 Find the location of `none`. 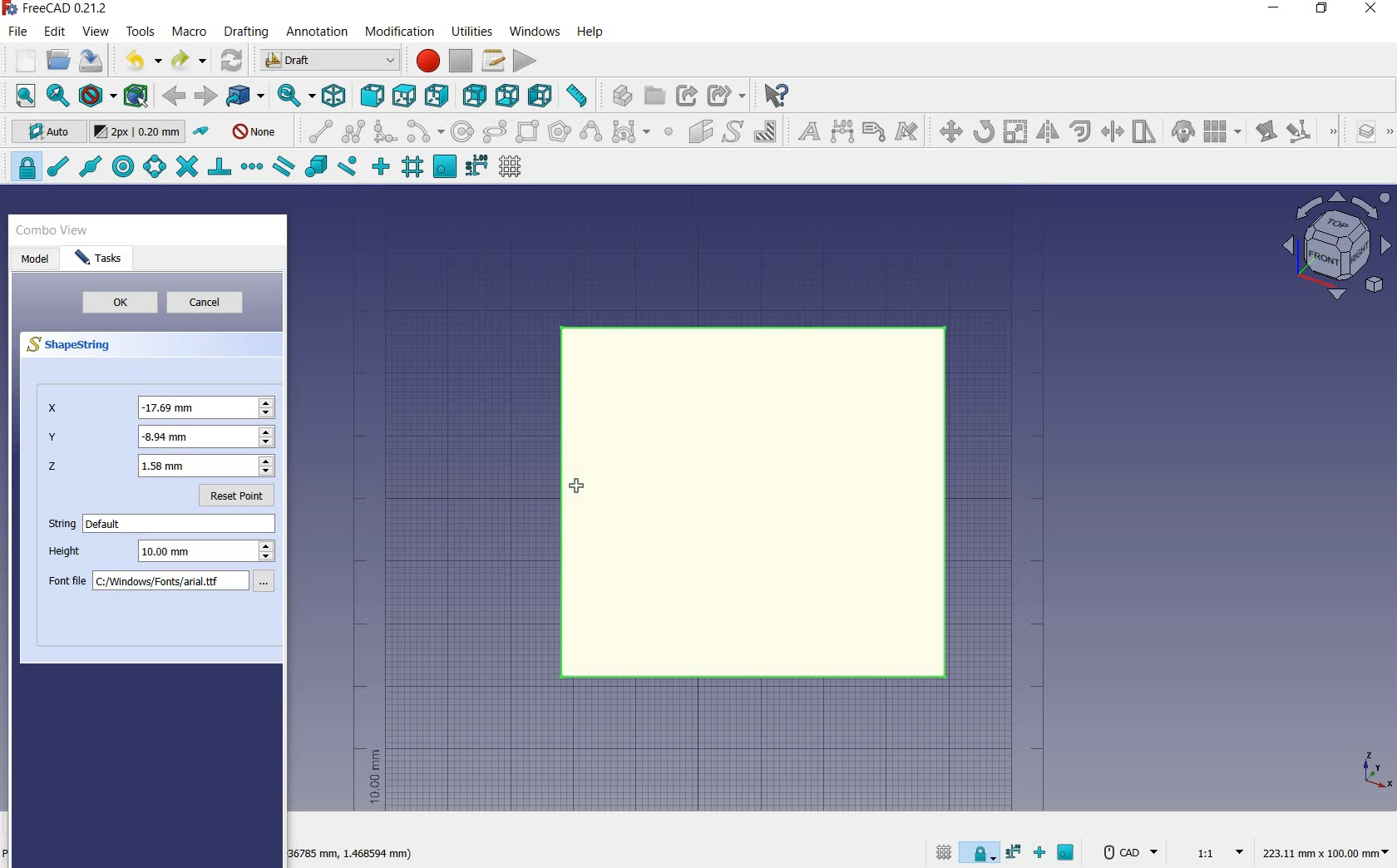

none is located at coordinates (256, 131).